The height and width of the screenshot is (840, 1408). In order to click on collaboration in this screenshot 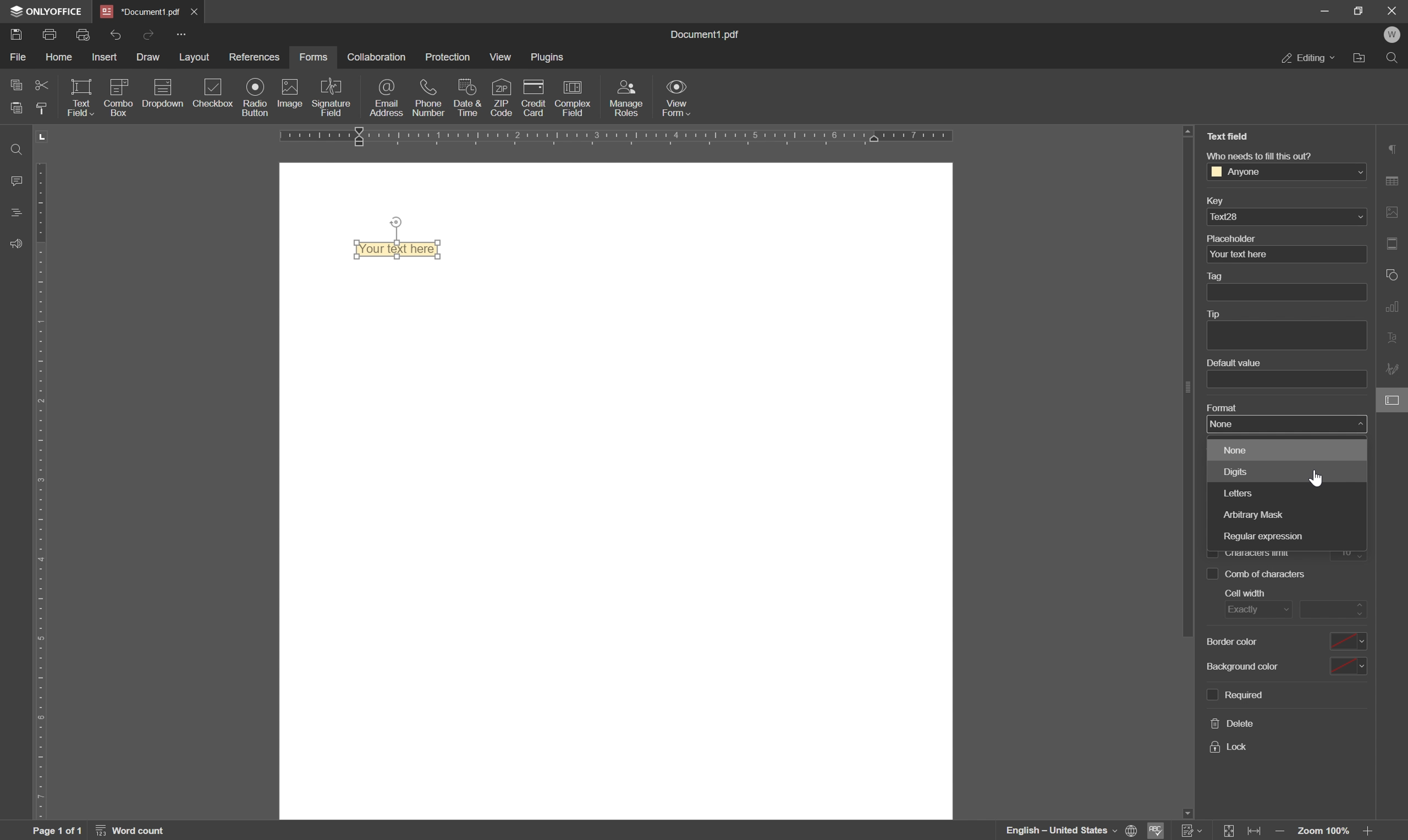, I will do `click(381, 55)`.